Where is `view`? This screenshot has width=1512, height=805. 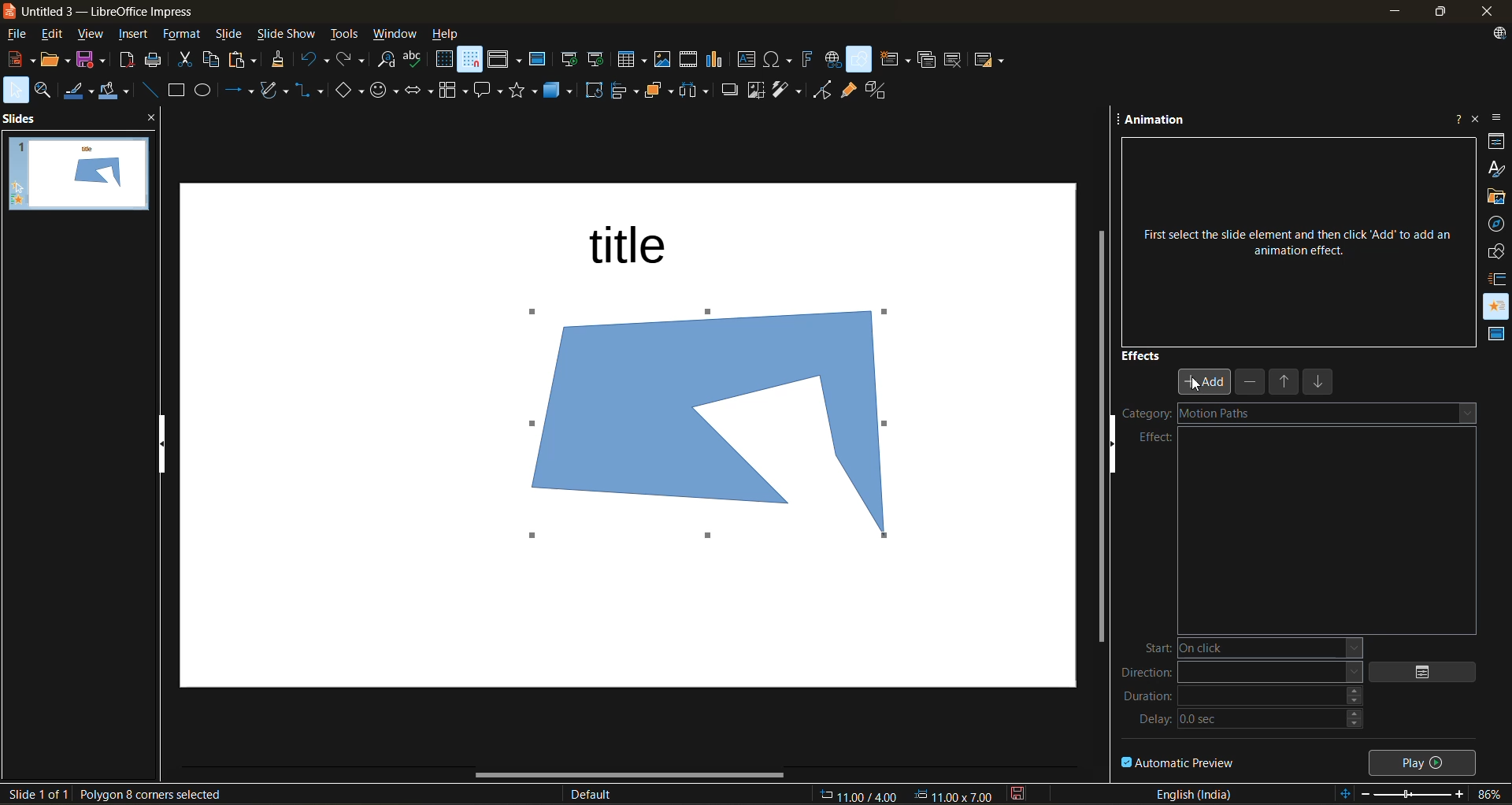
view is located at coordinates (91, 36).